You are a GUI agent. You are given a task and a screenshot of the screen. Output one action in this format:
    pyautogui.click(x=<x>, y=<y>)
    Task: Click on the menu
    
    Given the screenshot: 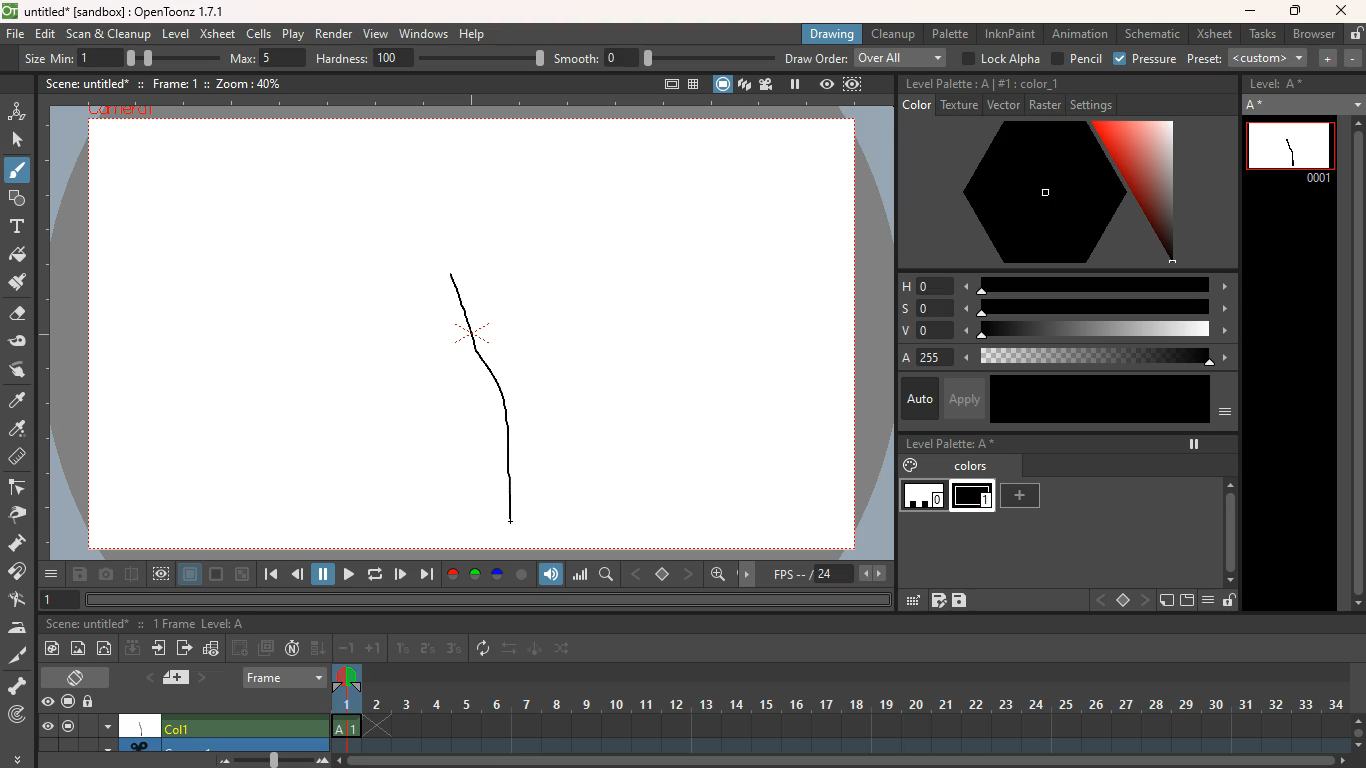 What is the action you would take?
    pyautogui.click(x=1212, y=601)
    